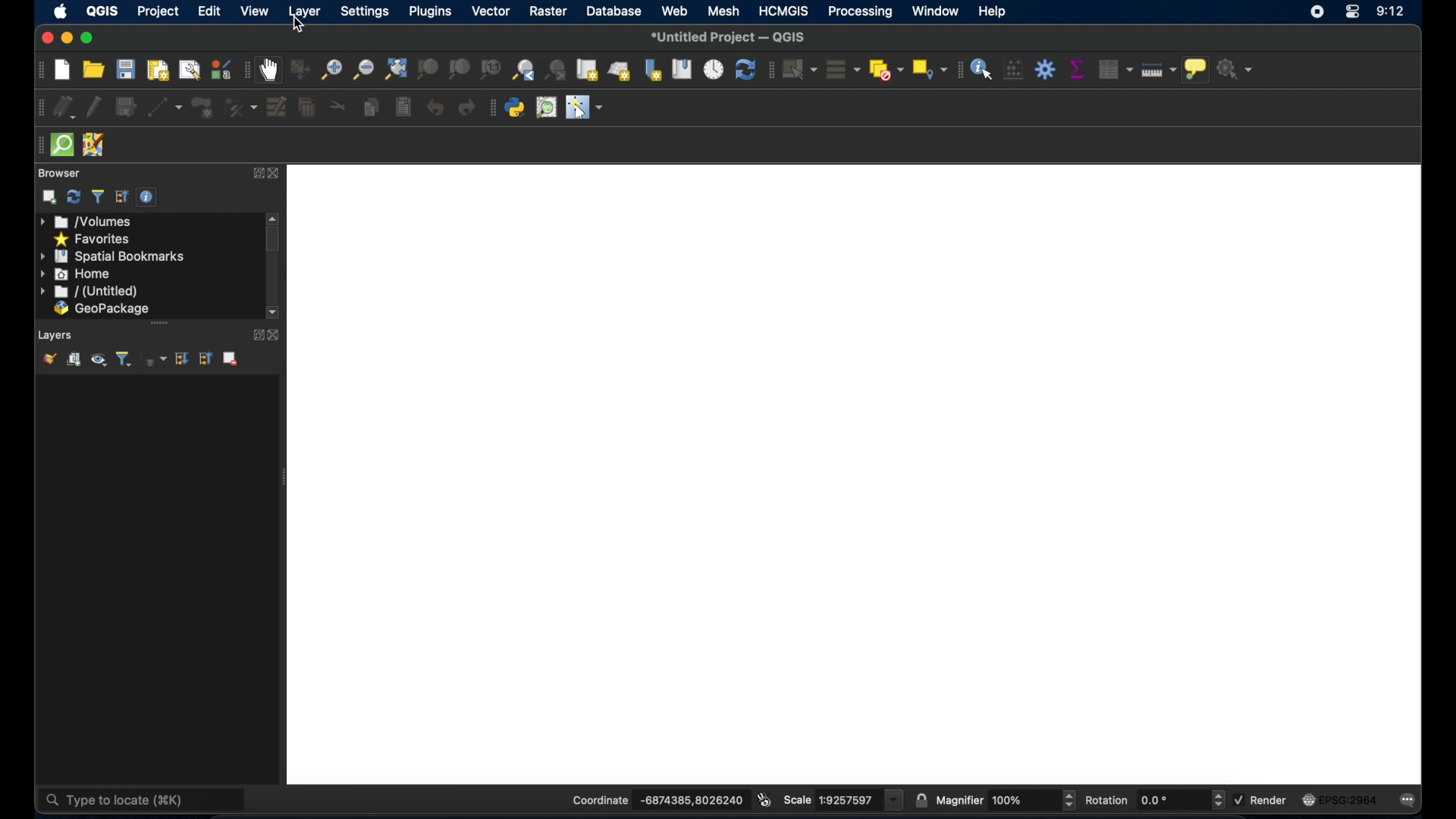 Image resolution: width=1456 pixels, height=819 pixels. I want to click on select by location, so click(930, 69).